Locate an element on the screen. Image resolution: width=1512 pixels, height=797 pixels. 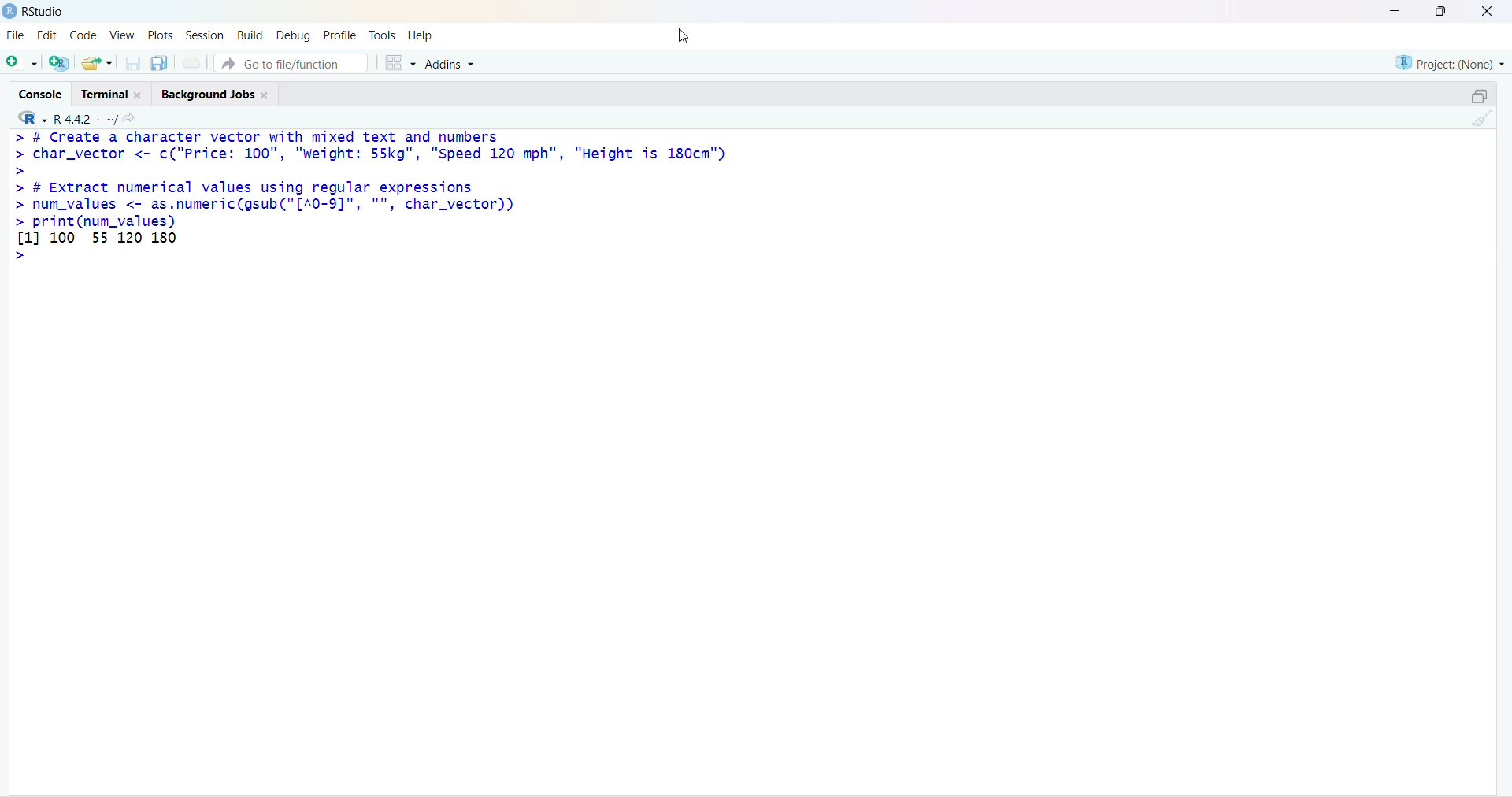
copy is located at coordinates (159, 63).